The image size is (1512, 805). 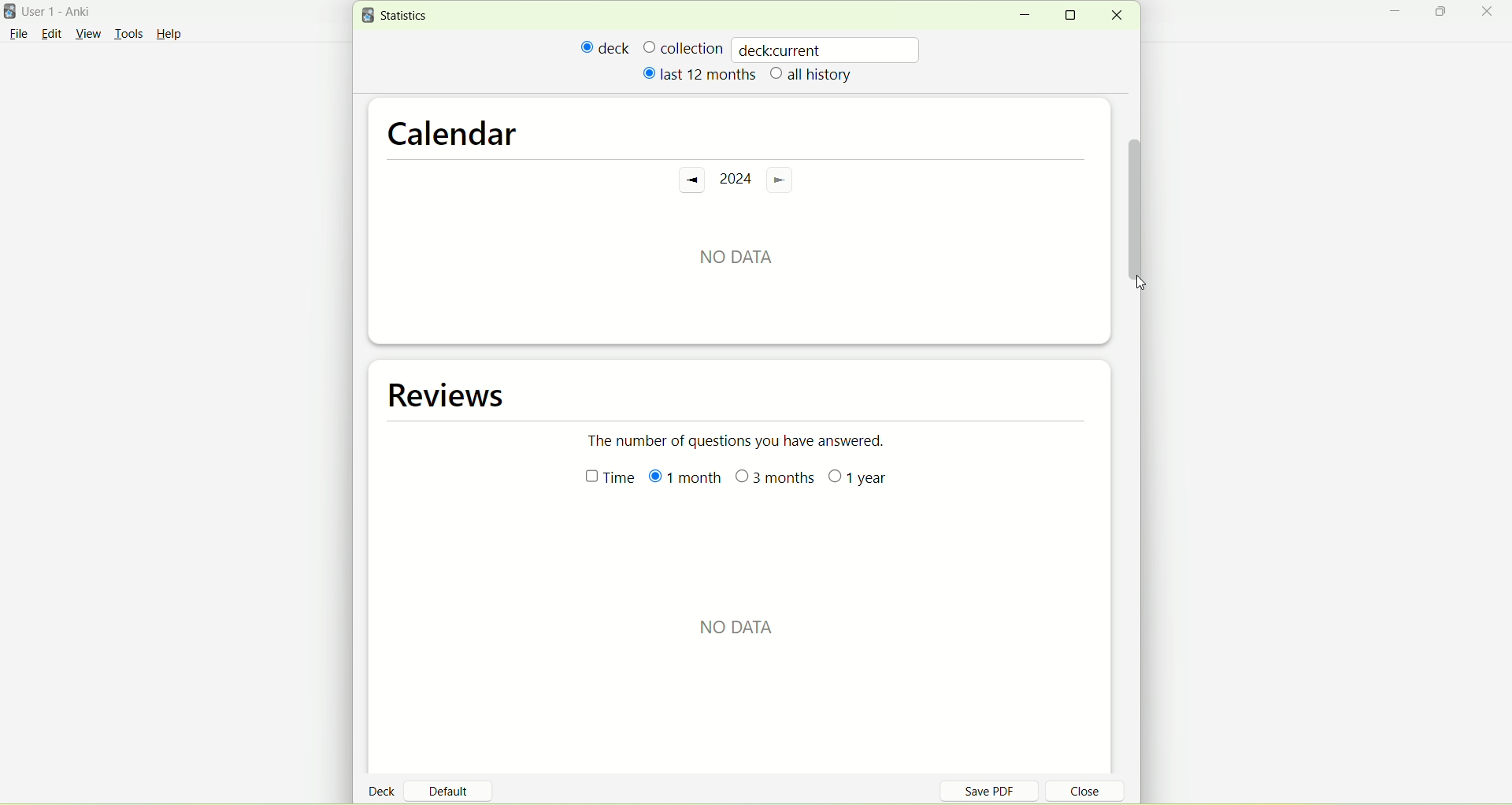 I want to click on cursor, so click(x=1138, y=283).